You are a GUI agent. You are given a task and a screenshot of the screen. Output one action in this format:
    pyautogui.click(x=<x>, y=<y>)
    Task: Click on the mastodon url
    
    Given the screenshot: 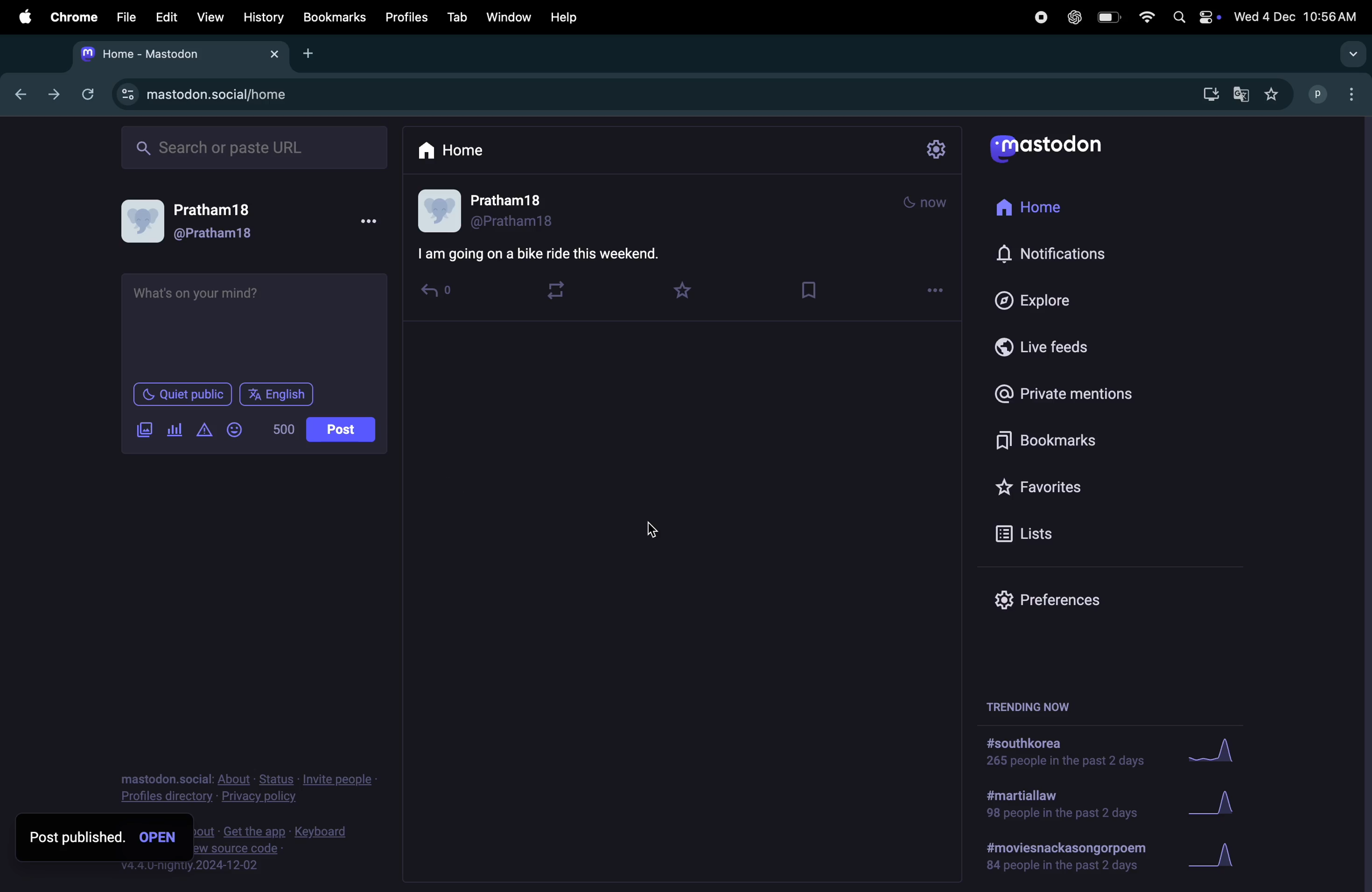 What is the action you would take?
    pyautogui.click(x=216, y=95)
    